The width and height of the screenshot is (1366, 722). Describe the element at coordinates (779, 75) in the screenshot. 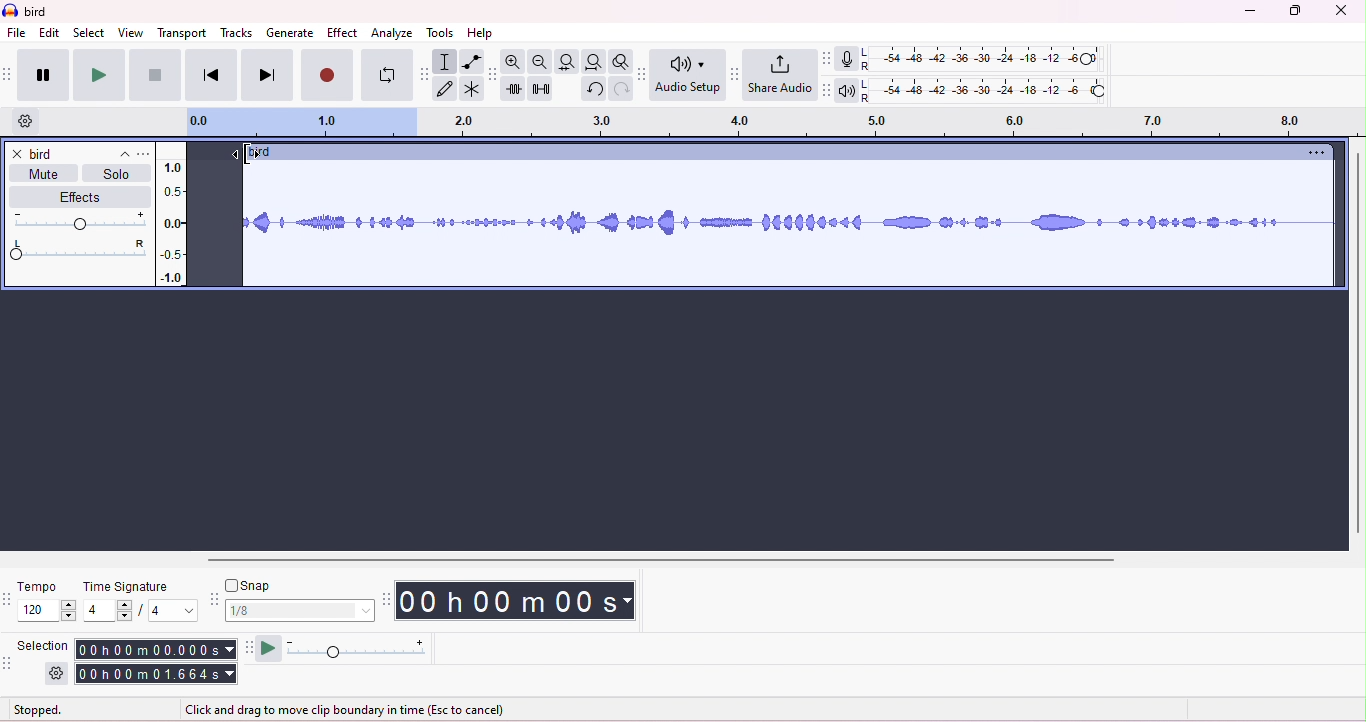

I see `share audio ` at that location.